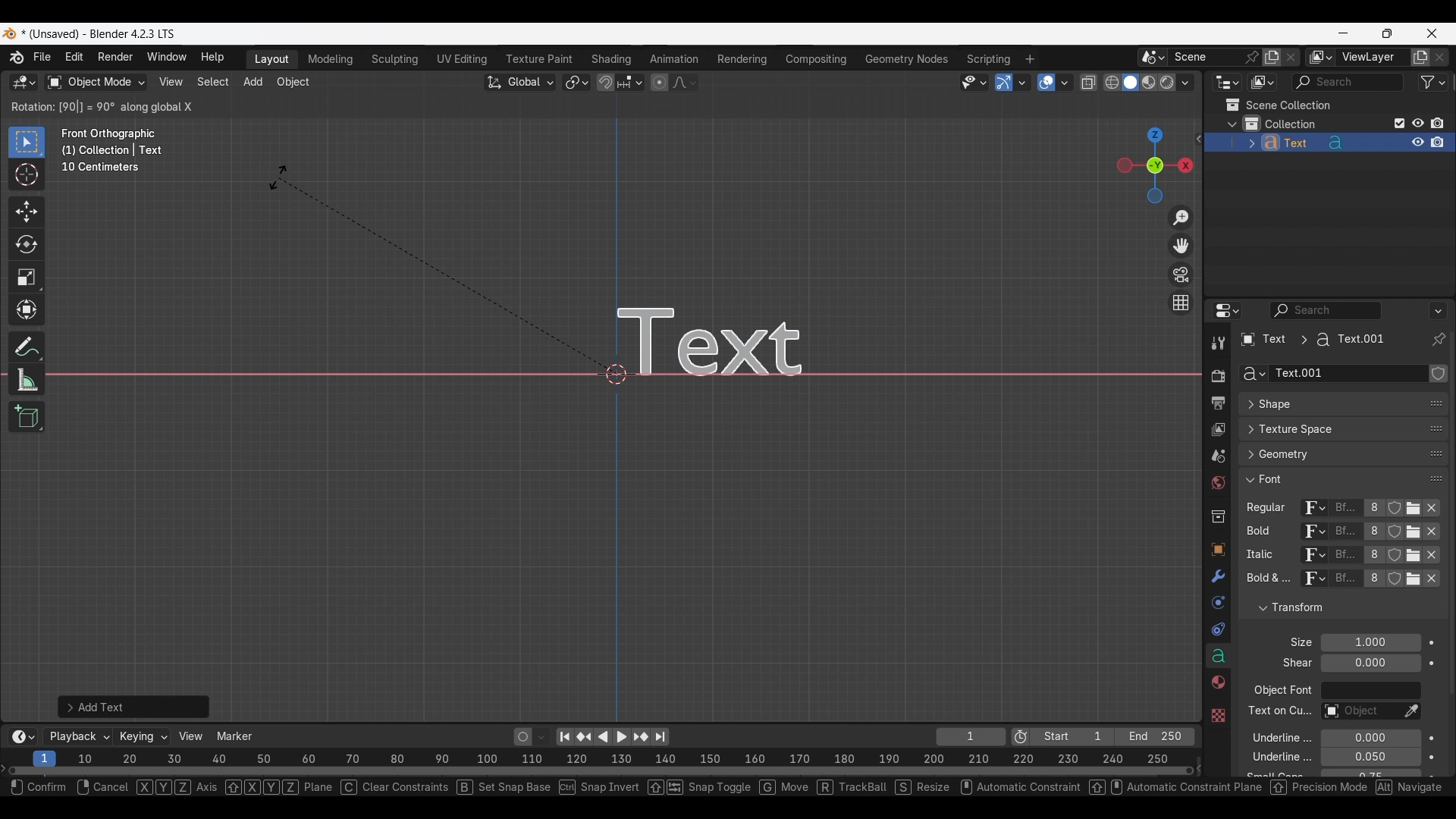  I want to click on Play animation, so click(611, 737).